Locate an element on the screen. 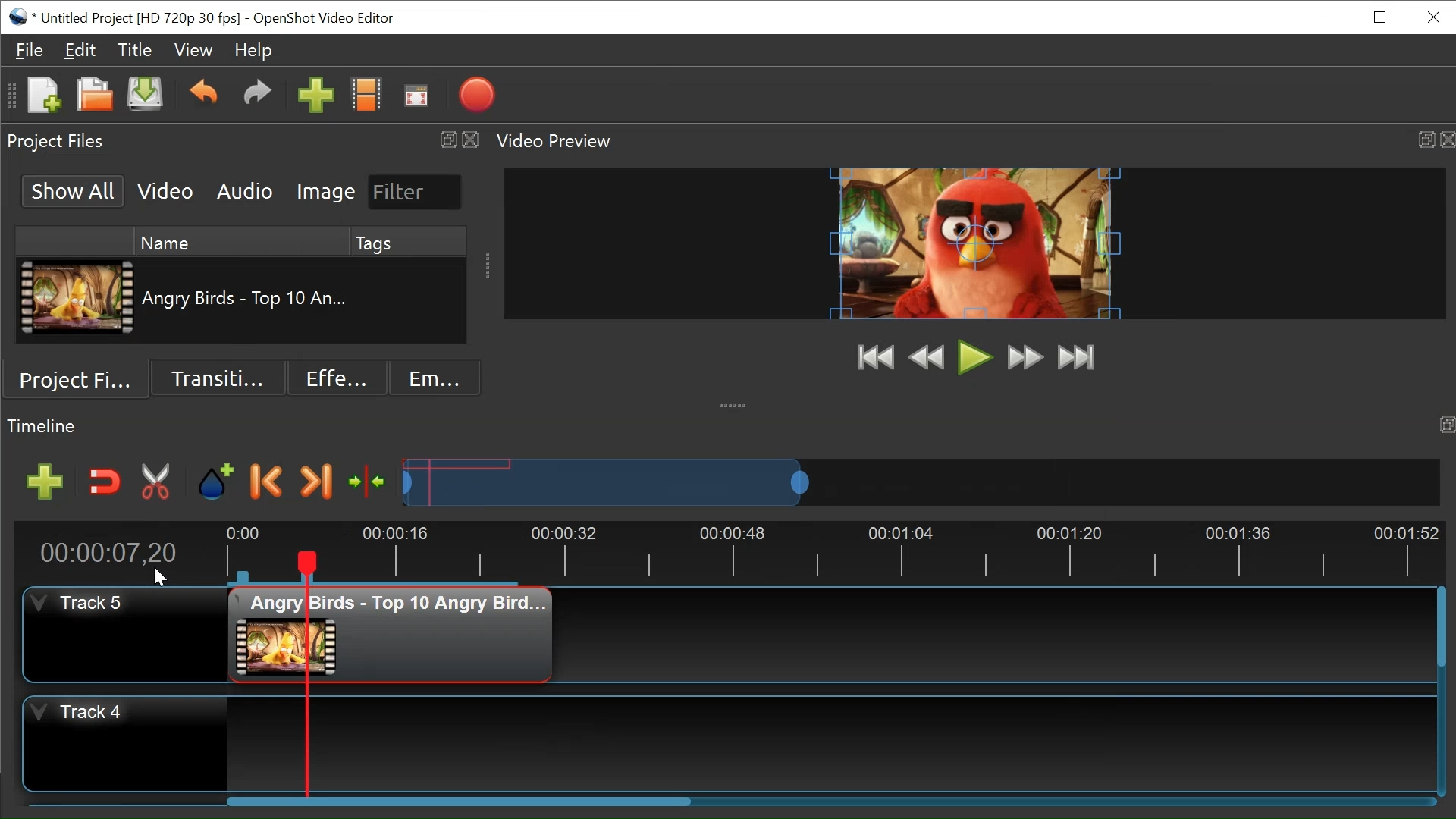 Image resolution: width=1456 pixels, height=819 pixels. Timeline is located at coordinates (833, 551).